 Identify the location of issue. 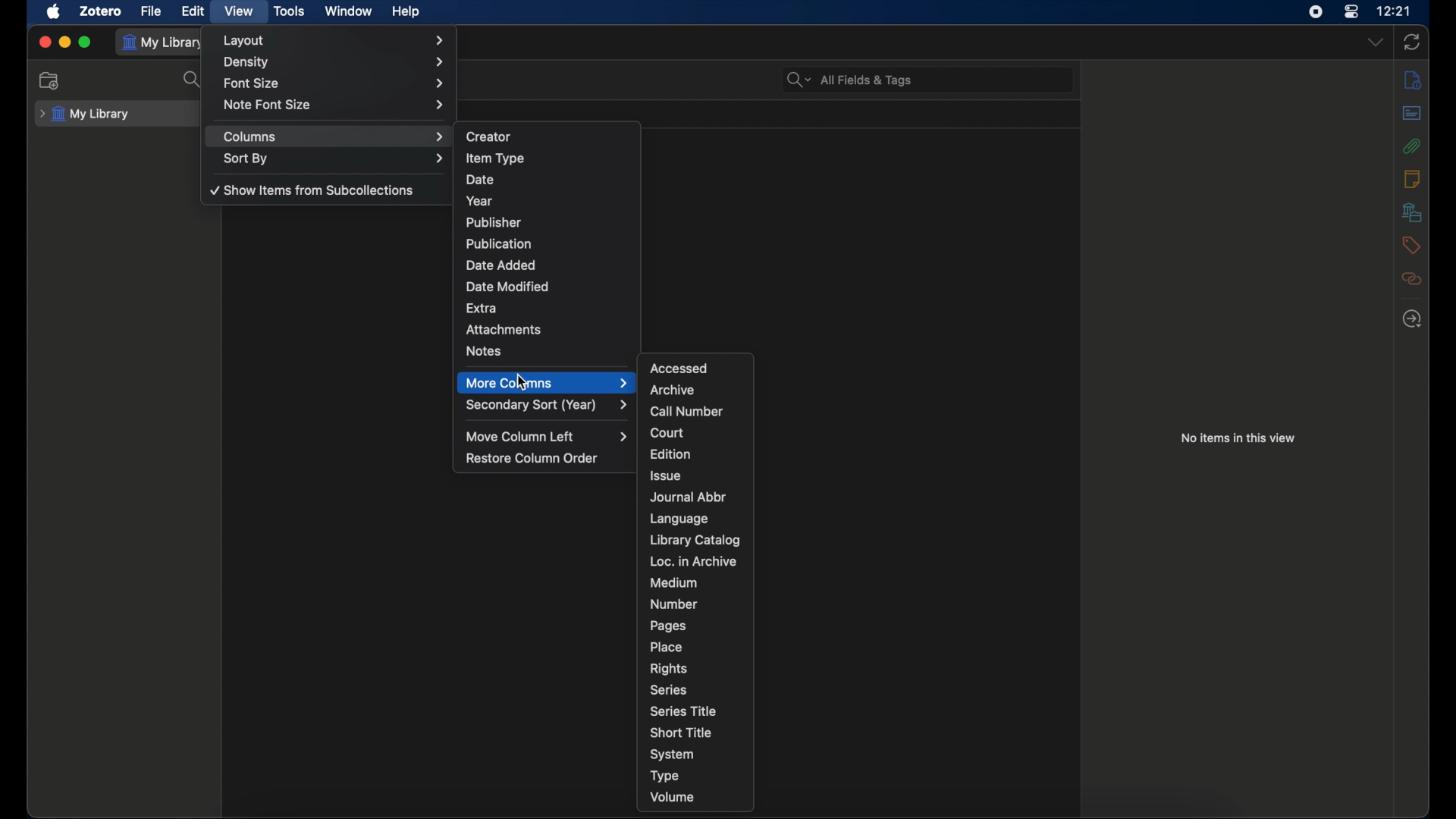
(666, 475).